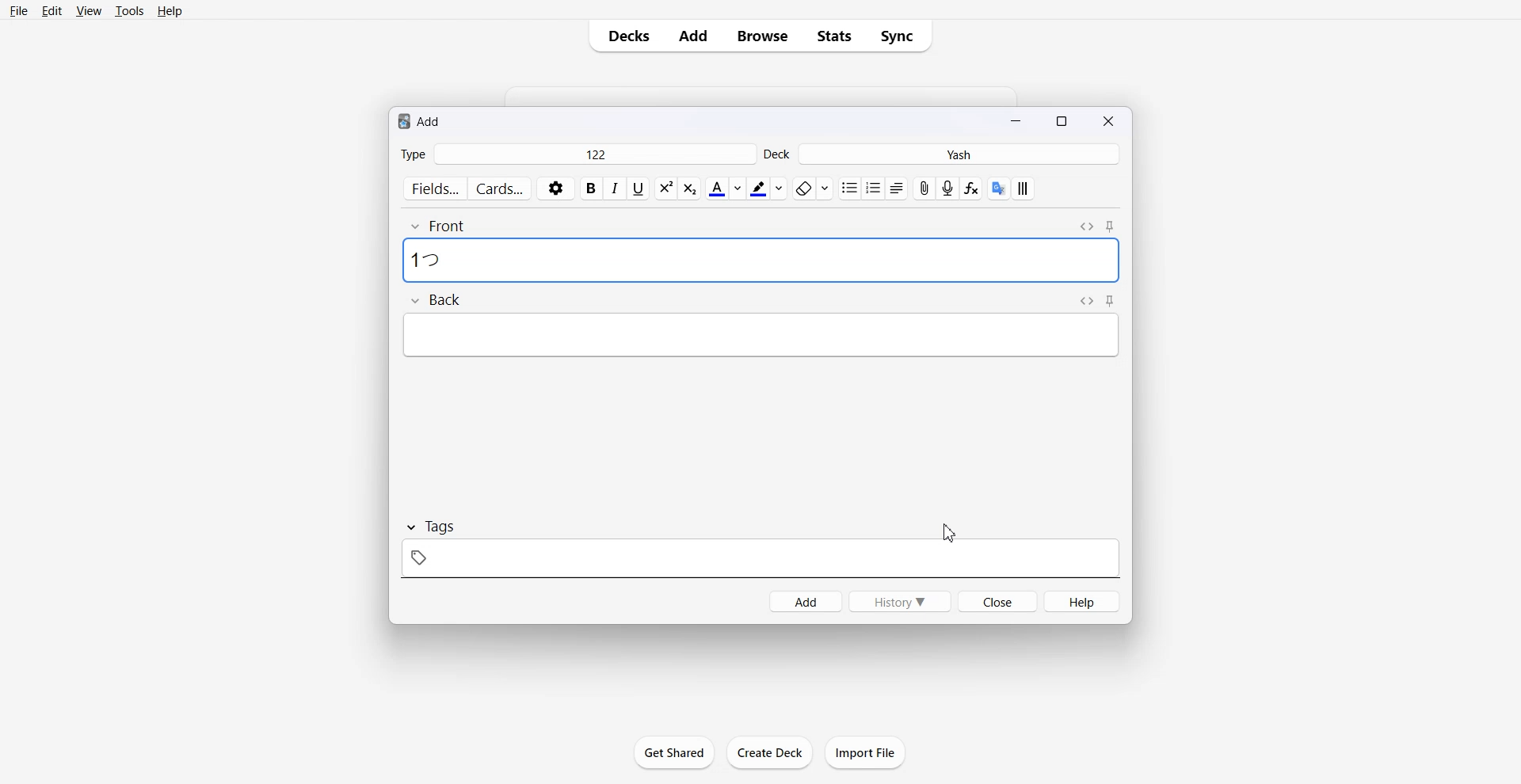 This screenshot has height=784, width=1521. What do you see at coordinates (1111, 301) in the screenshot?
I see `Toggle sticky` at bounding box center [1111, 301].